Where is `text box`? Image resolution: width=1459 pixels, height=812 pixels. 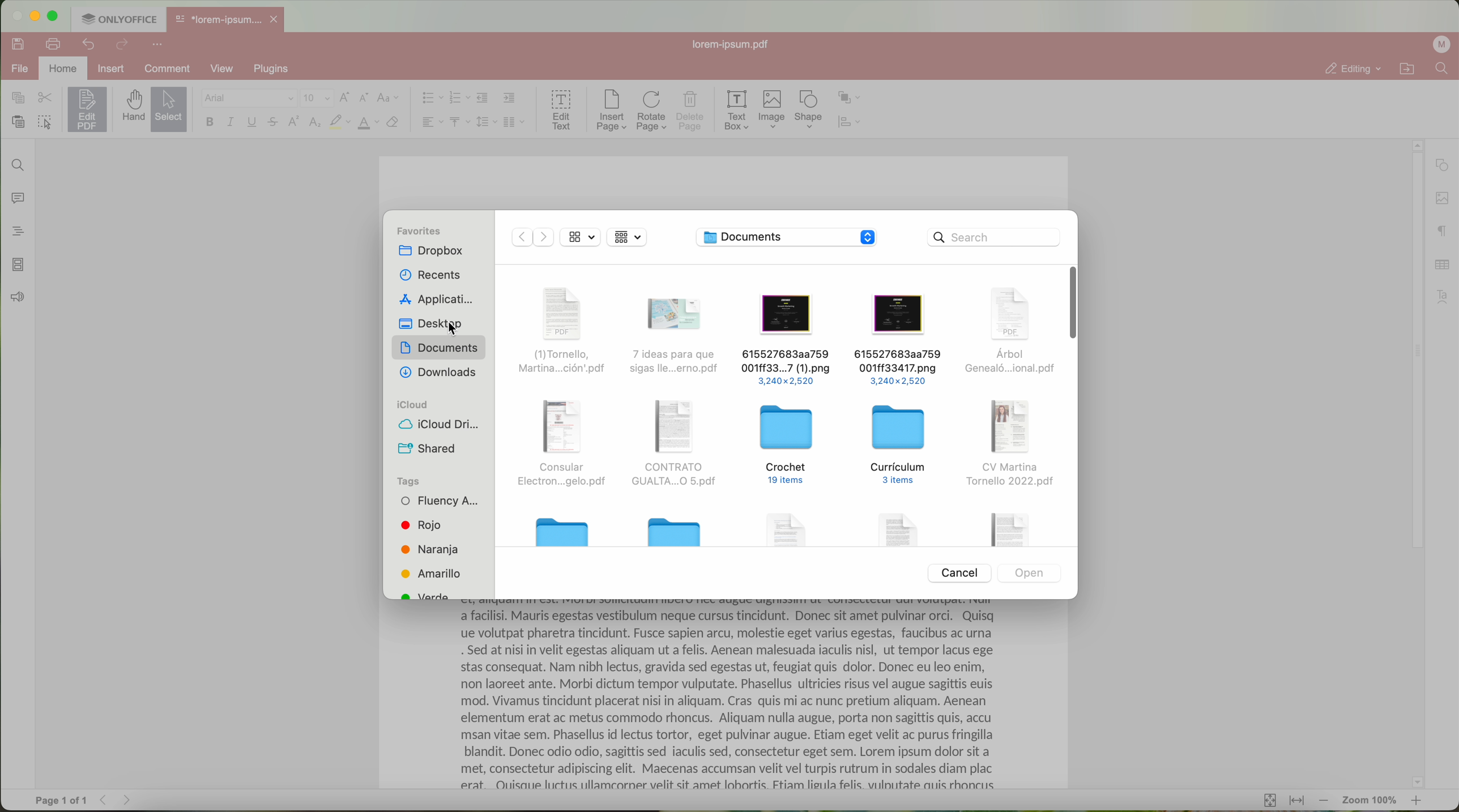
text box is located at coordinates (737, 110).